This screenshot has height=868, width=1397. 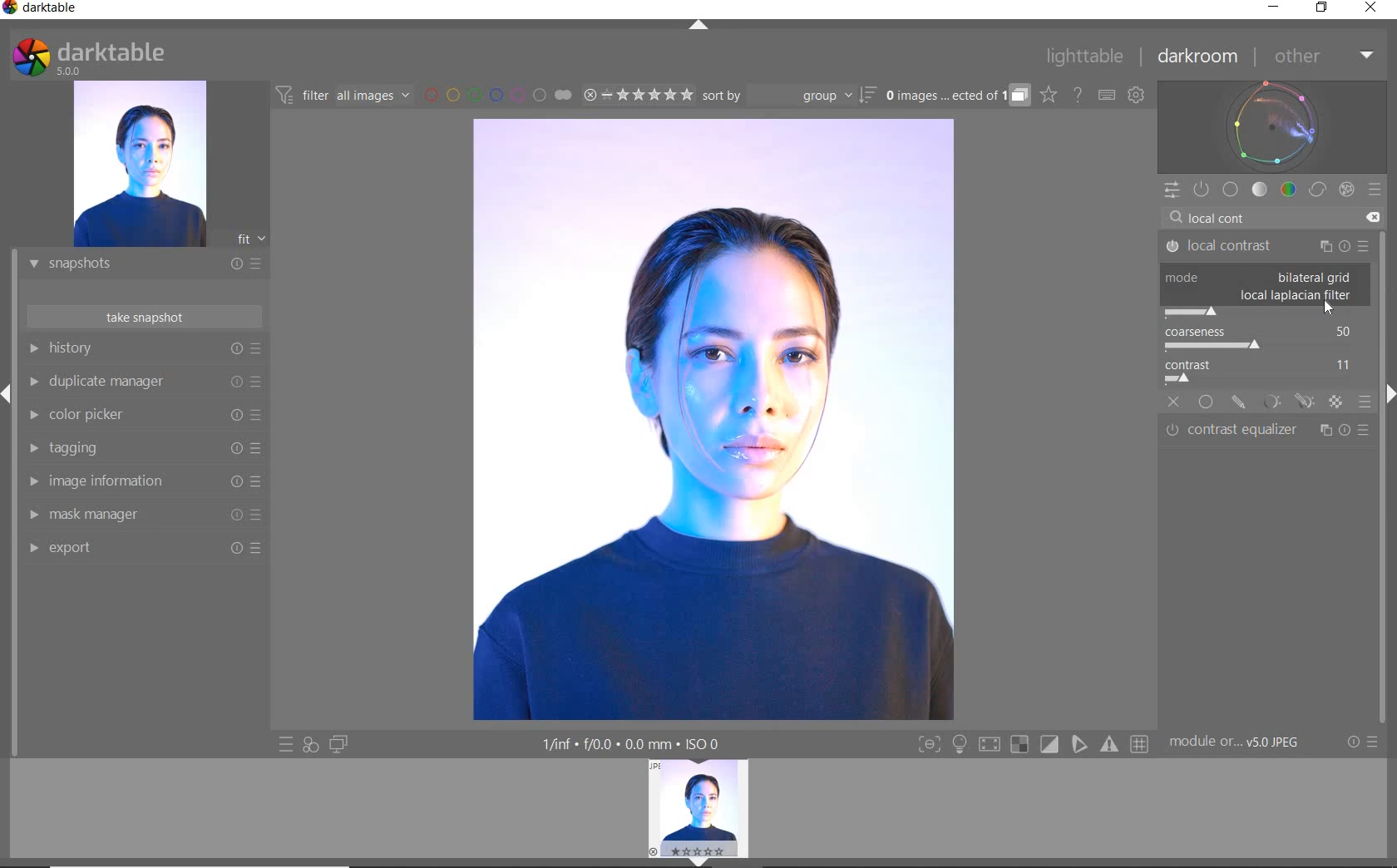 What do you see at coordinates (43, 11) in the screenshot?
I see `SYSTEM NAME` at bounding box center [43, 11].